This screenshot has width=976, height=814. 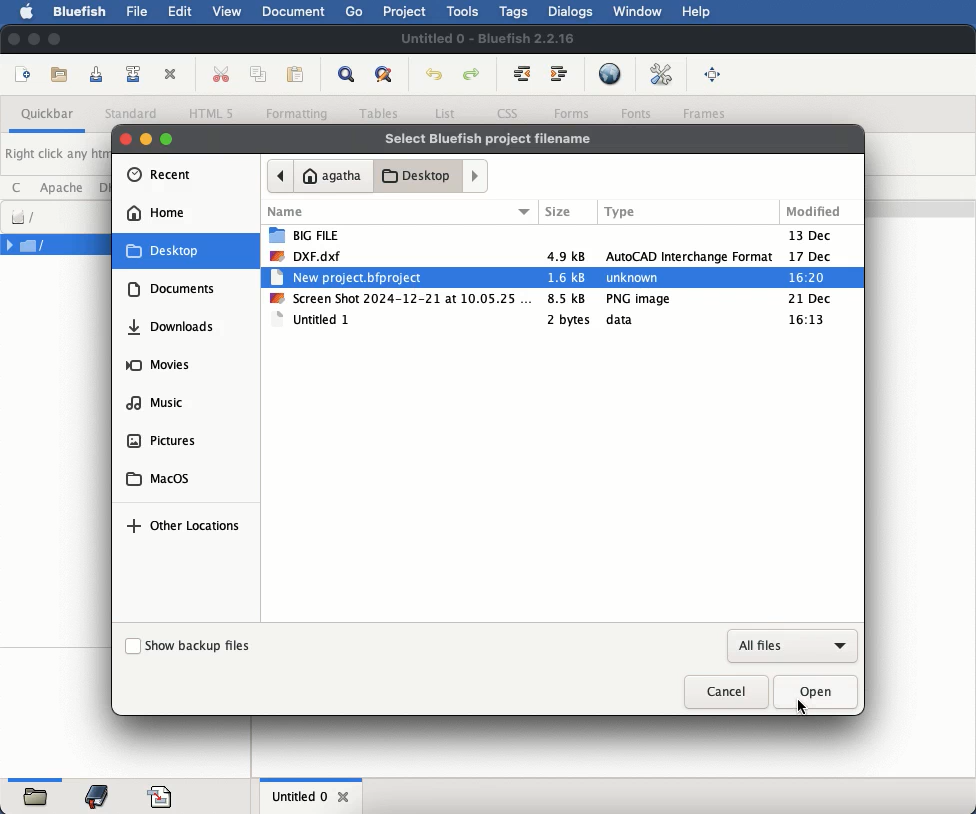 I want to click on save current file, so click(x=96, y=74).